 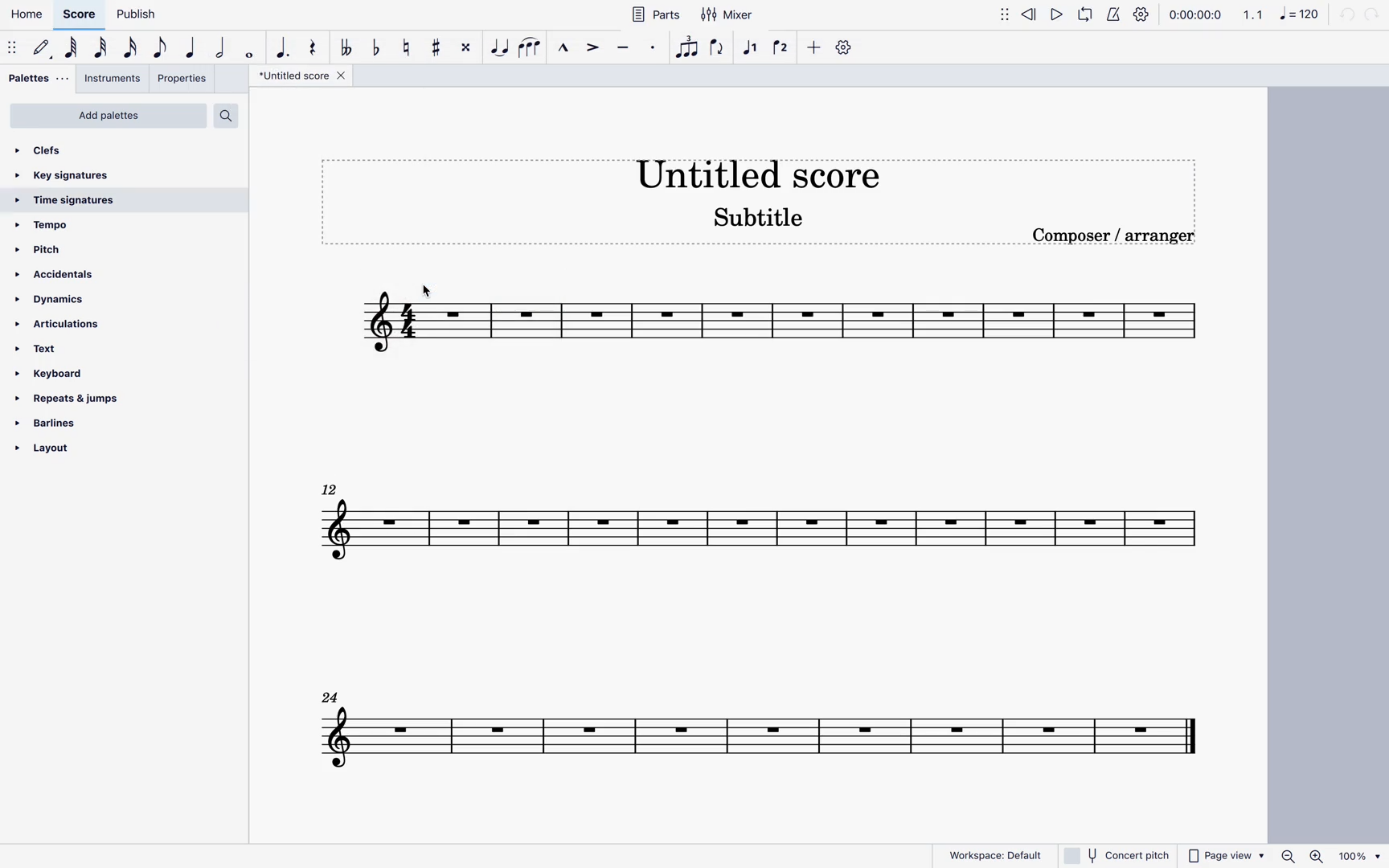 I want to click on augmentat, so click(x=280, y=51).